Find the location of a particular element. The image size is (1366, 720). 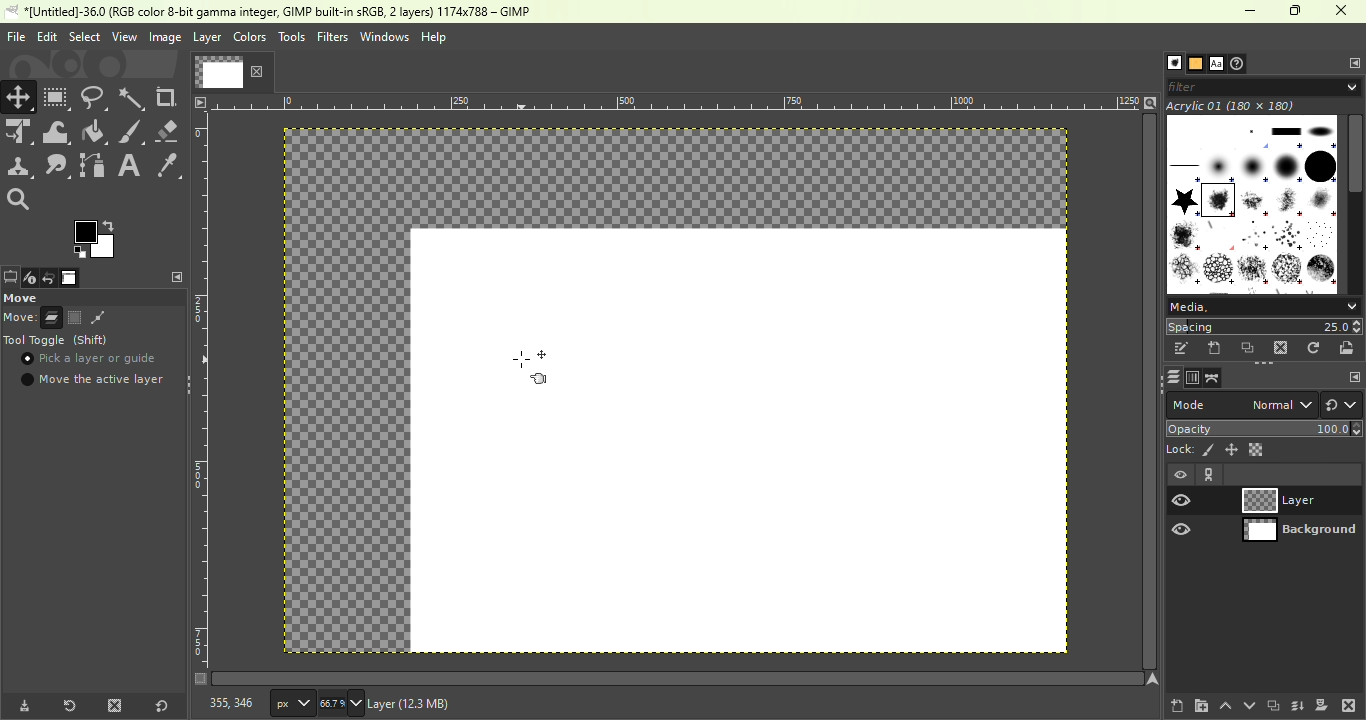

Merge all visible layers with last used values is located at coordinates (1299, 706).